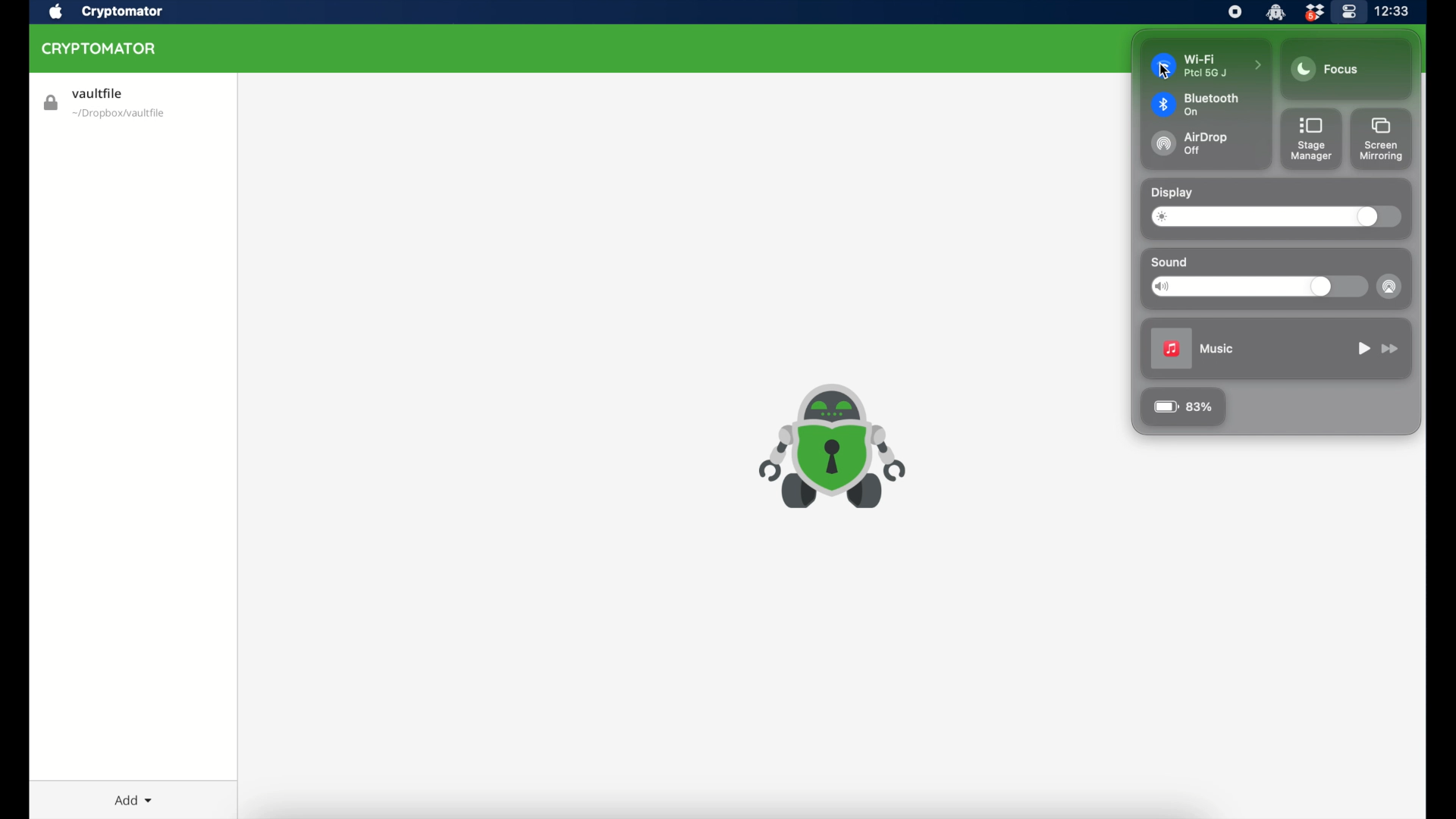  I want to click on airdrop, so click(1189, 144).